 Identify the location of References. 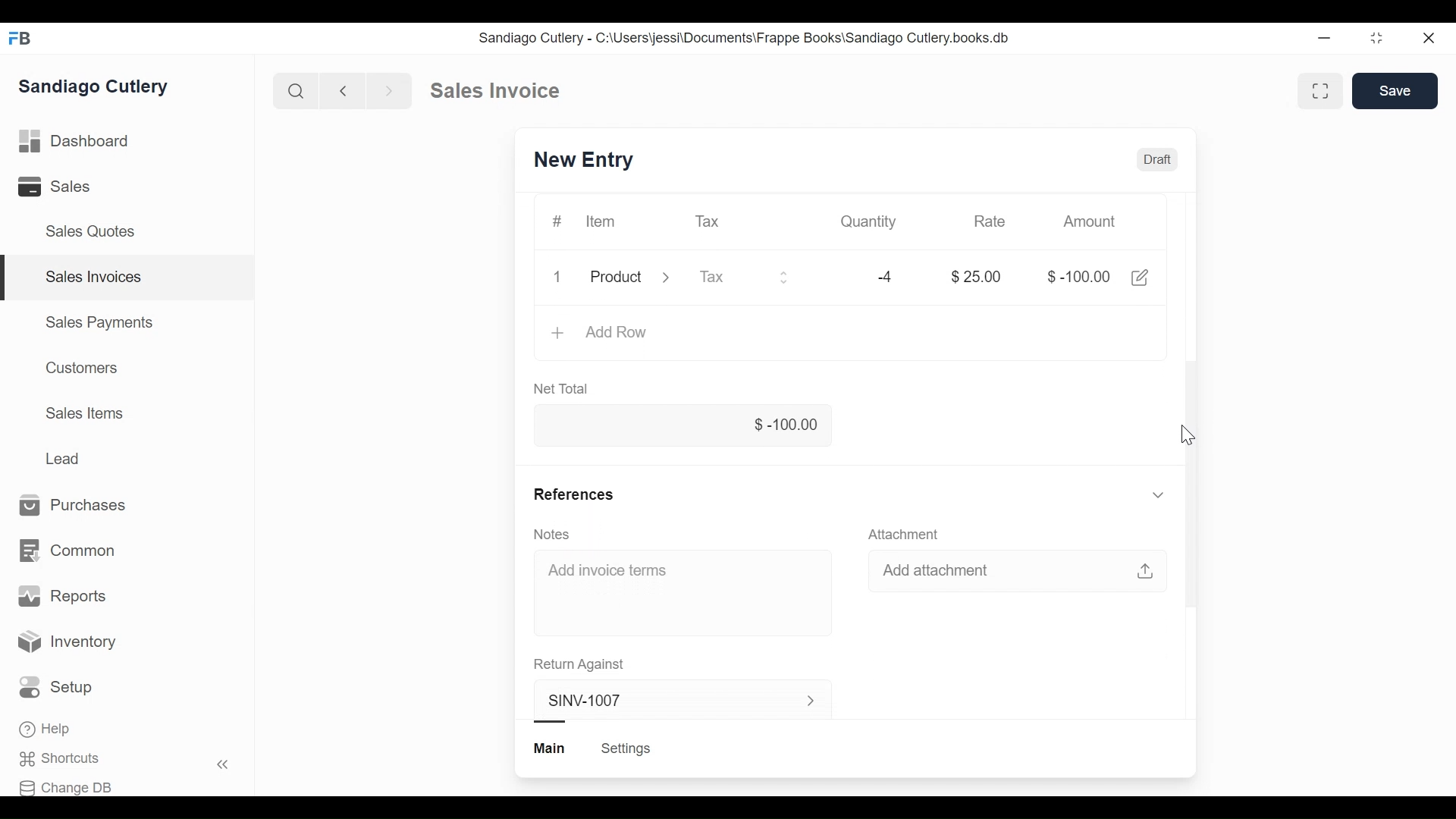
(852, 494).